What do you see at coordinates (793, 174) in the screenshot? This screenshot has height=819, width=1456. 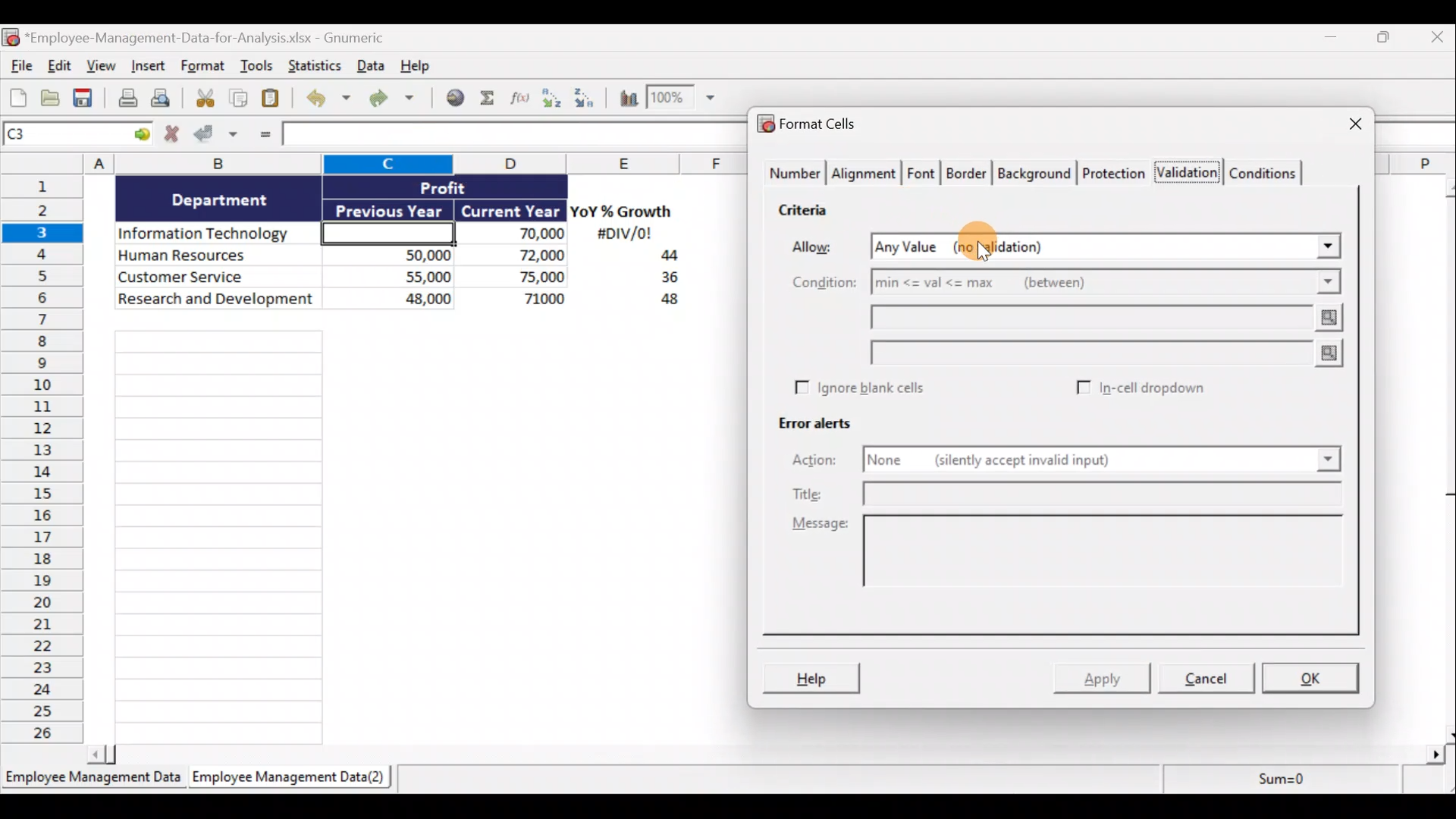 I see `Number` at bounding box center [793, 174].